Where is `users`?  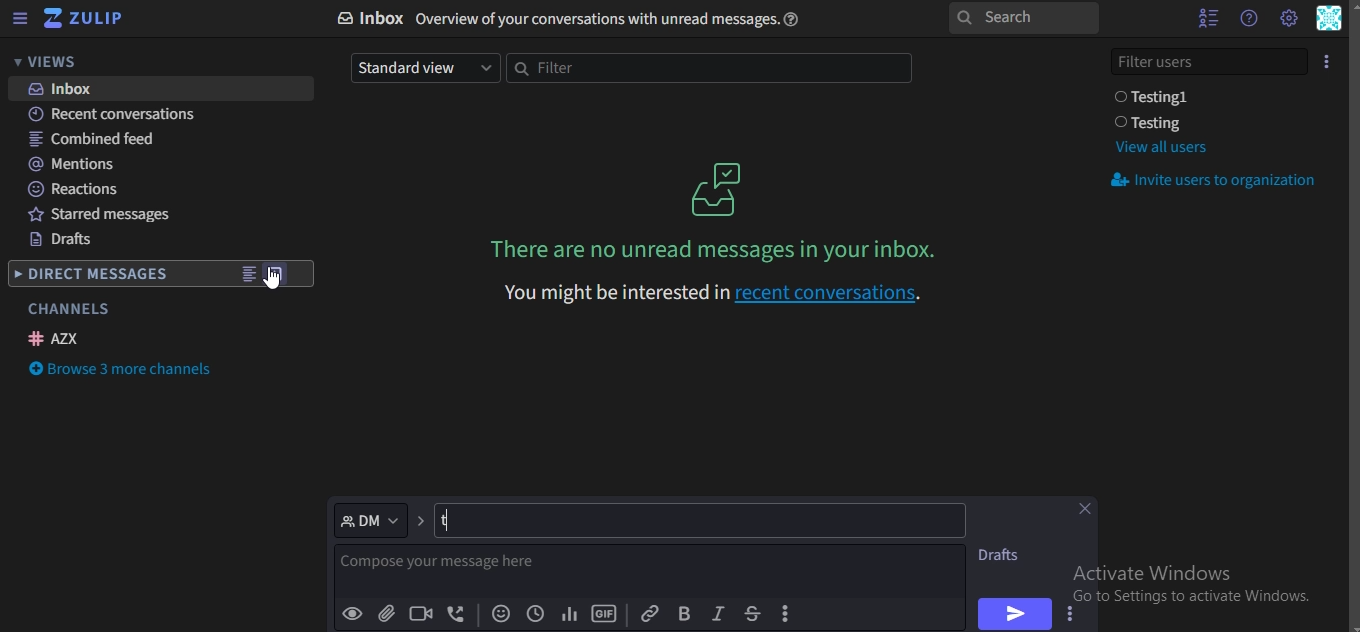
users is located at coordinates (547, 521).